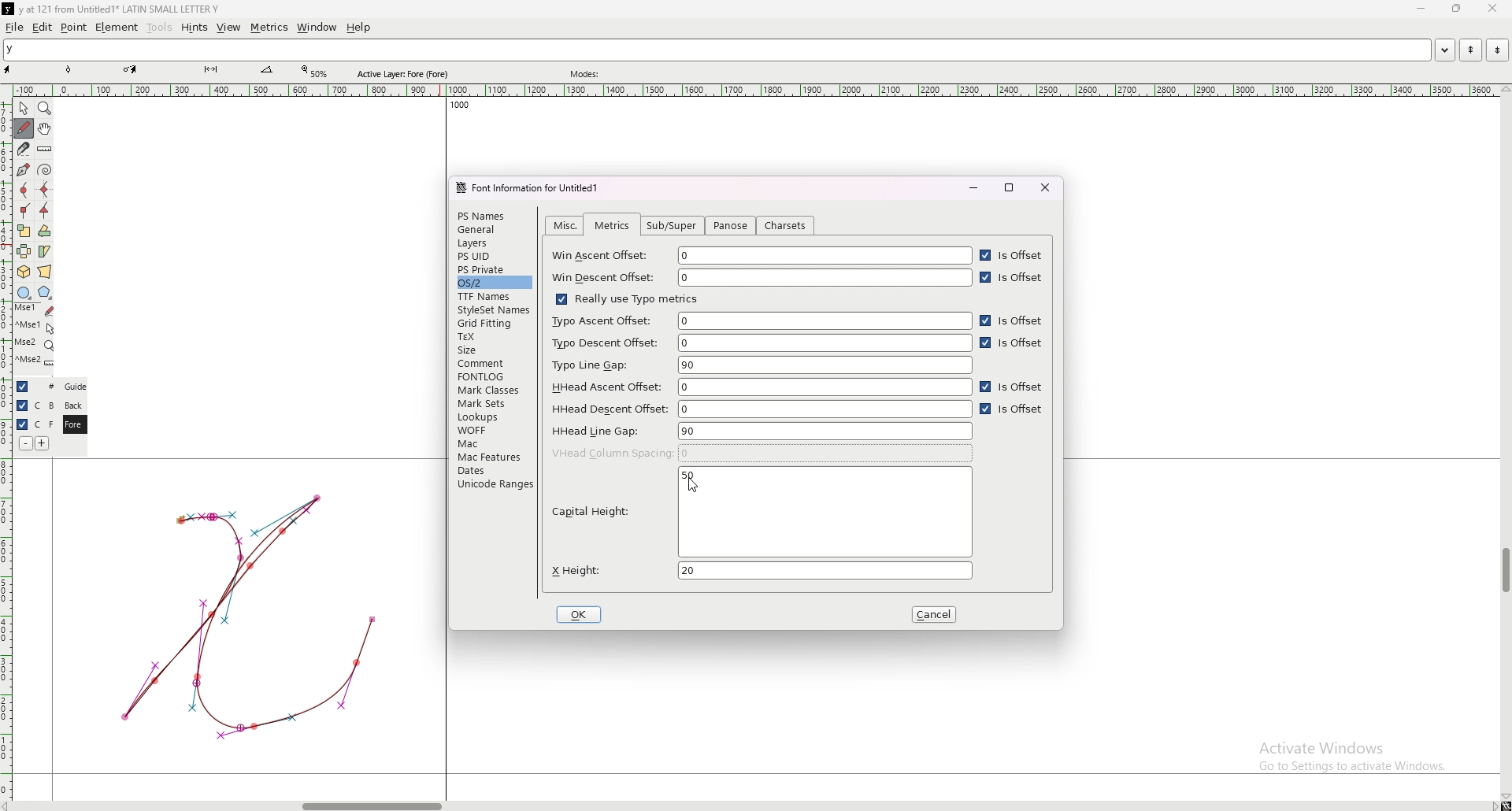 The image size is (1512, 811). I want to click on graph, so click(248, 615).